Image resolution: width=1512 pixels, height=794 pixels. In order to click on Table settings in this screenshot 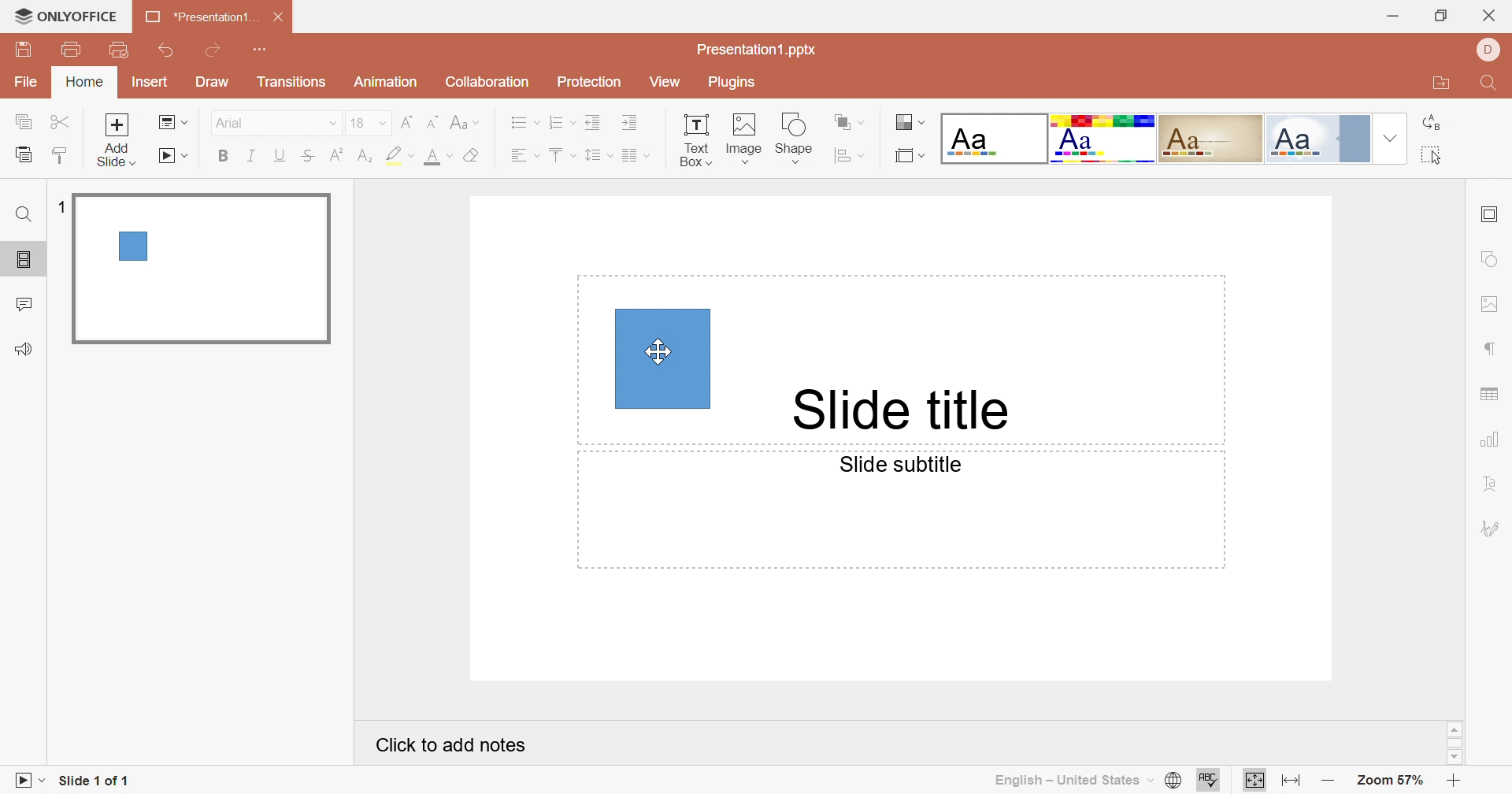, I will do `click(1490, 393)`.